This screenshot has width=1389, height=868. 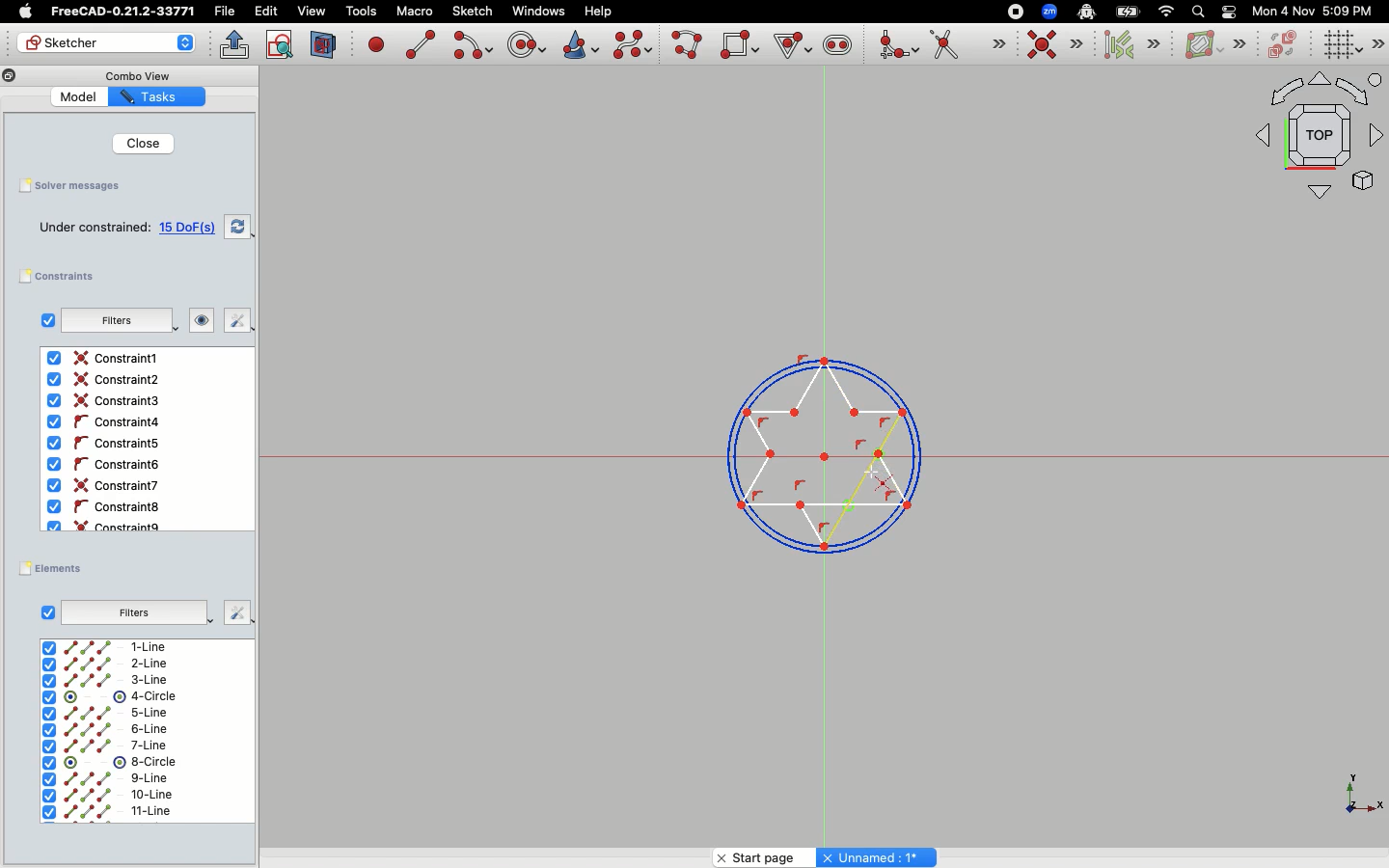 What do you see at coordinates (967, 46) in the screenshot?
I see `Trim edge` at bounding box center [967, 46].